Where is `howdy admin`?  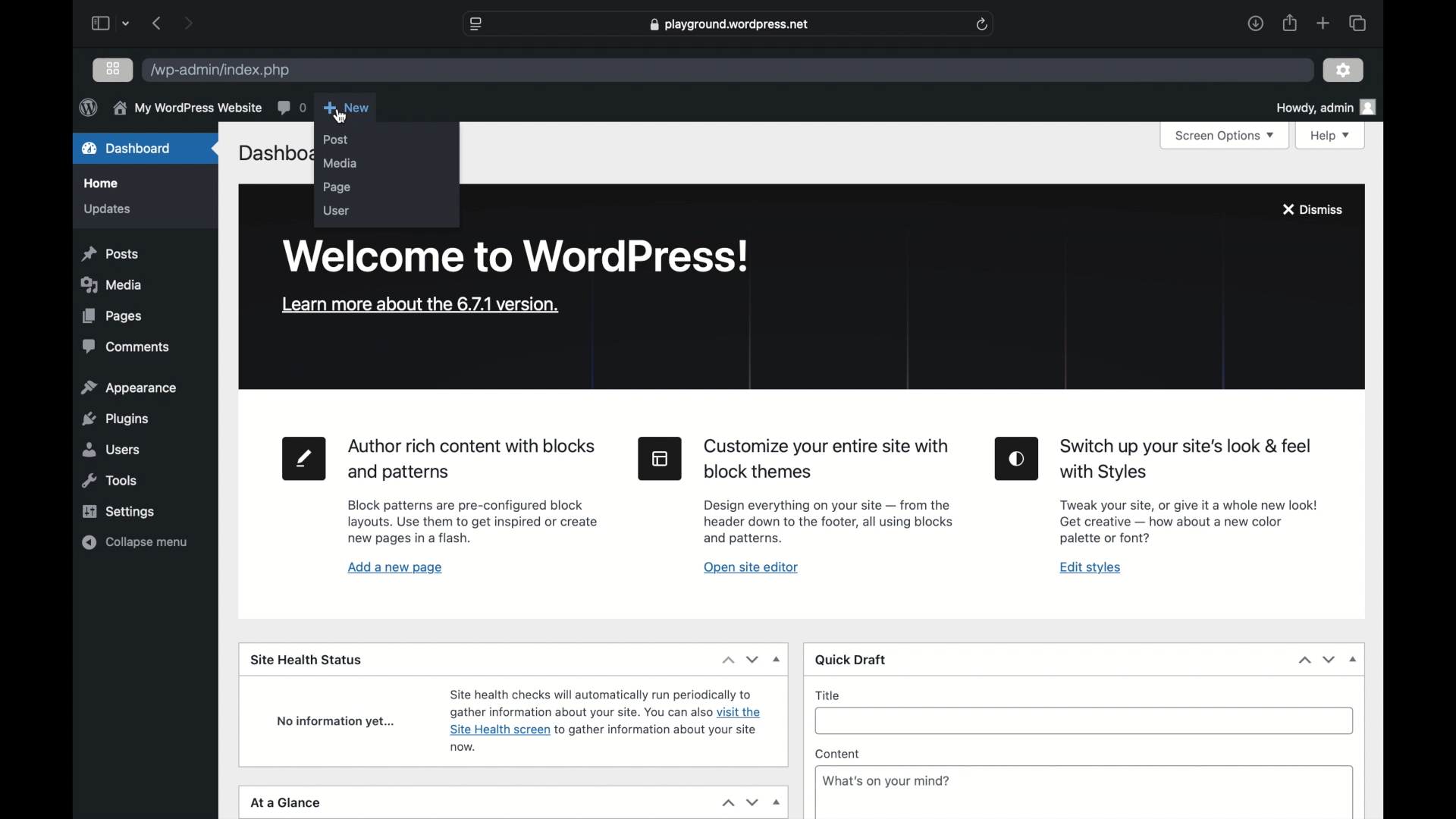
howdy admin is located at coordinates (1326, 107).